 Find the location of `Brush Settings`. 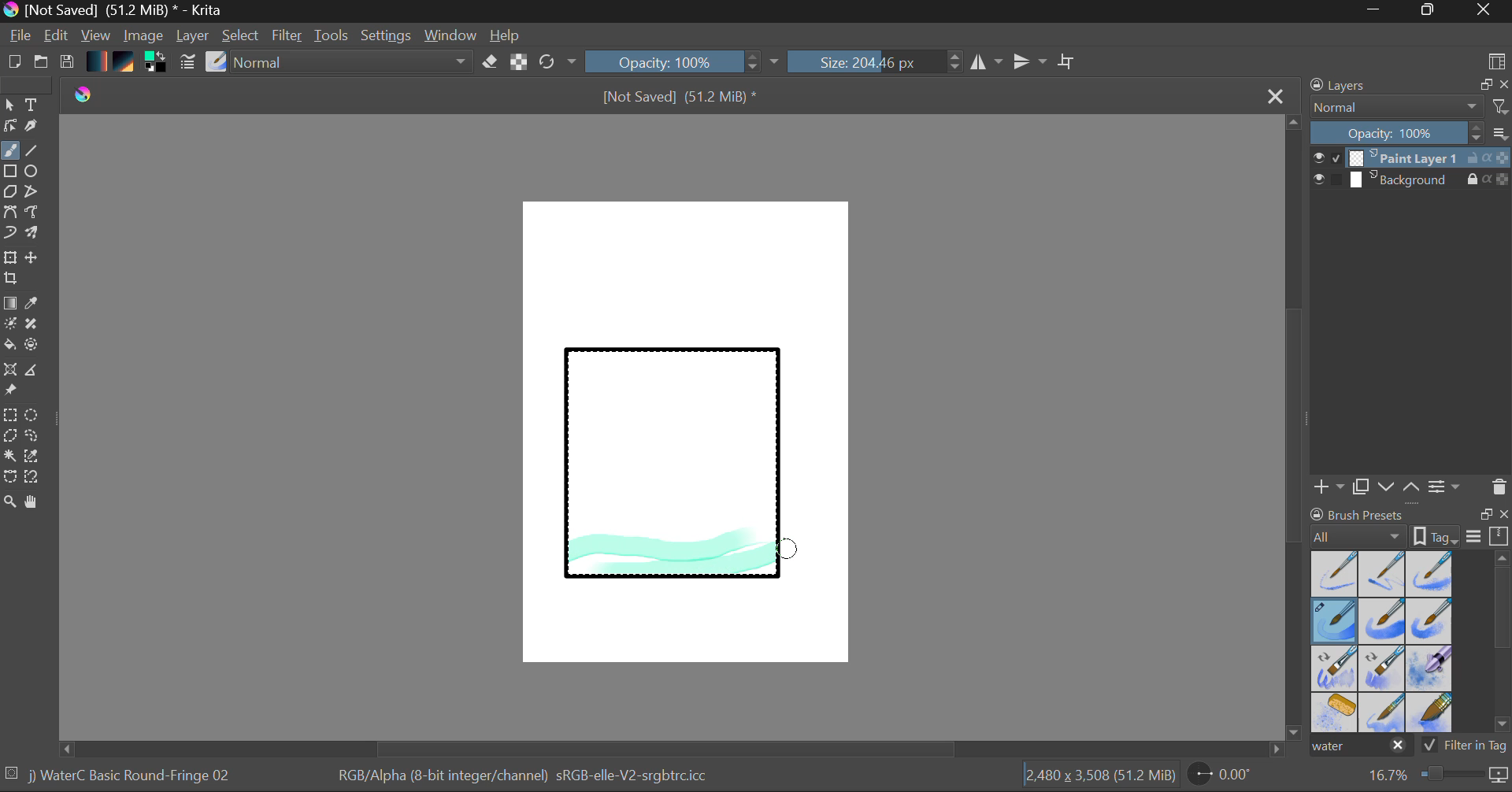

Brush Settings is located at coordinates (186, 63).